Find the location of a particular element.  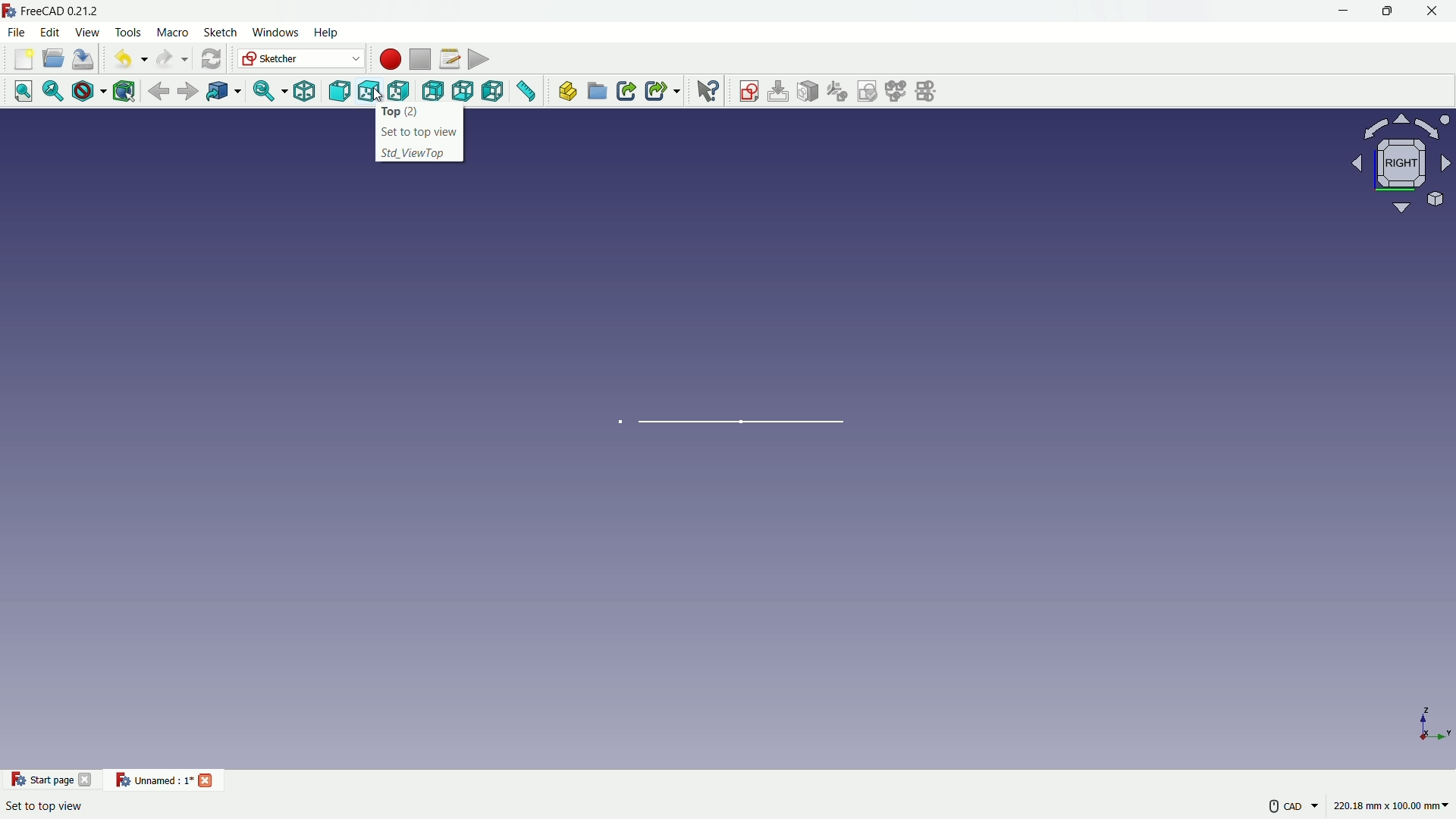

cursor is located at coordinates (378, 96).